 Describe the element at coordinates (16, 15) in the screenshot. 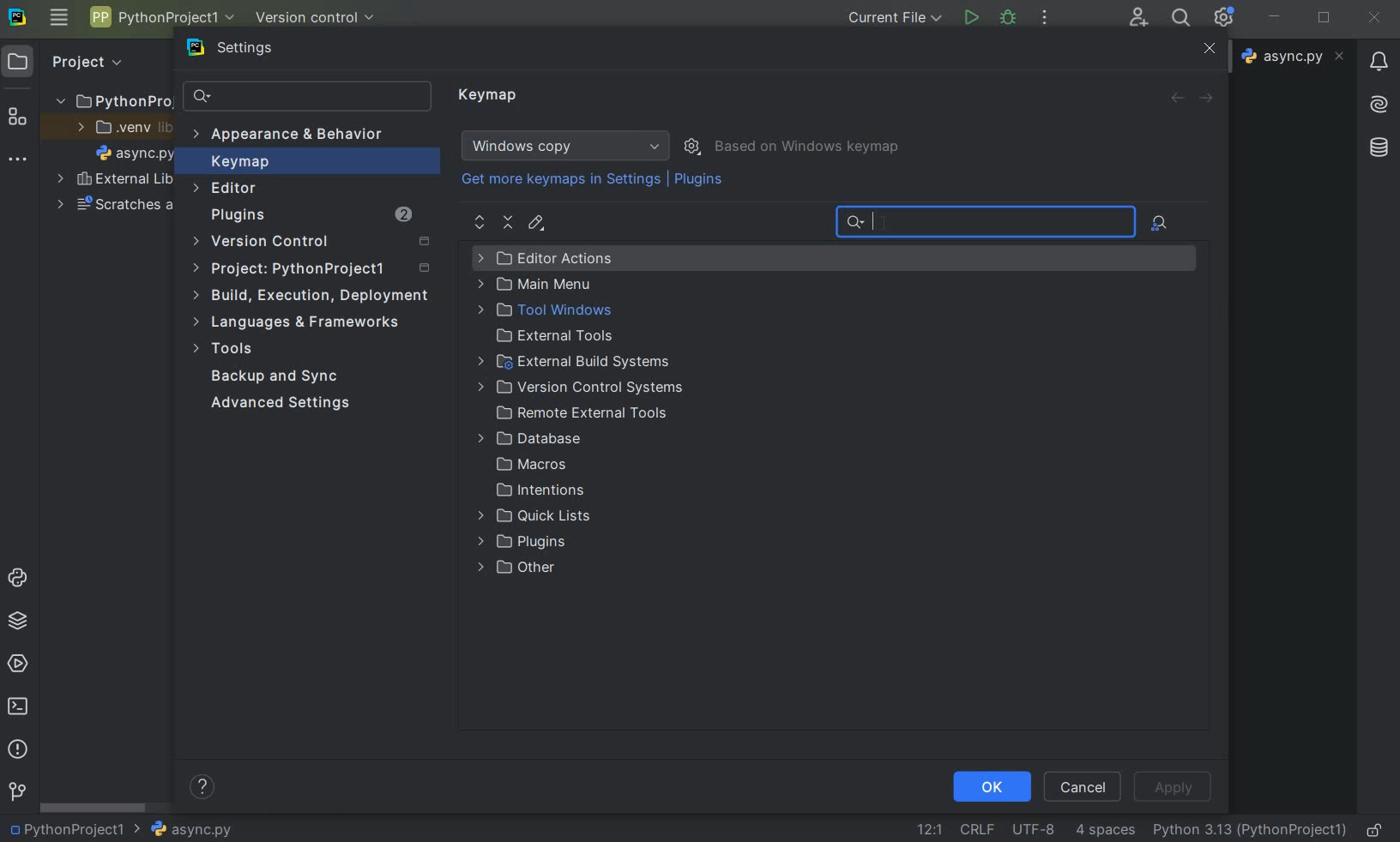

I see `system logo` at that location.